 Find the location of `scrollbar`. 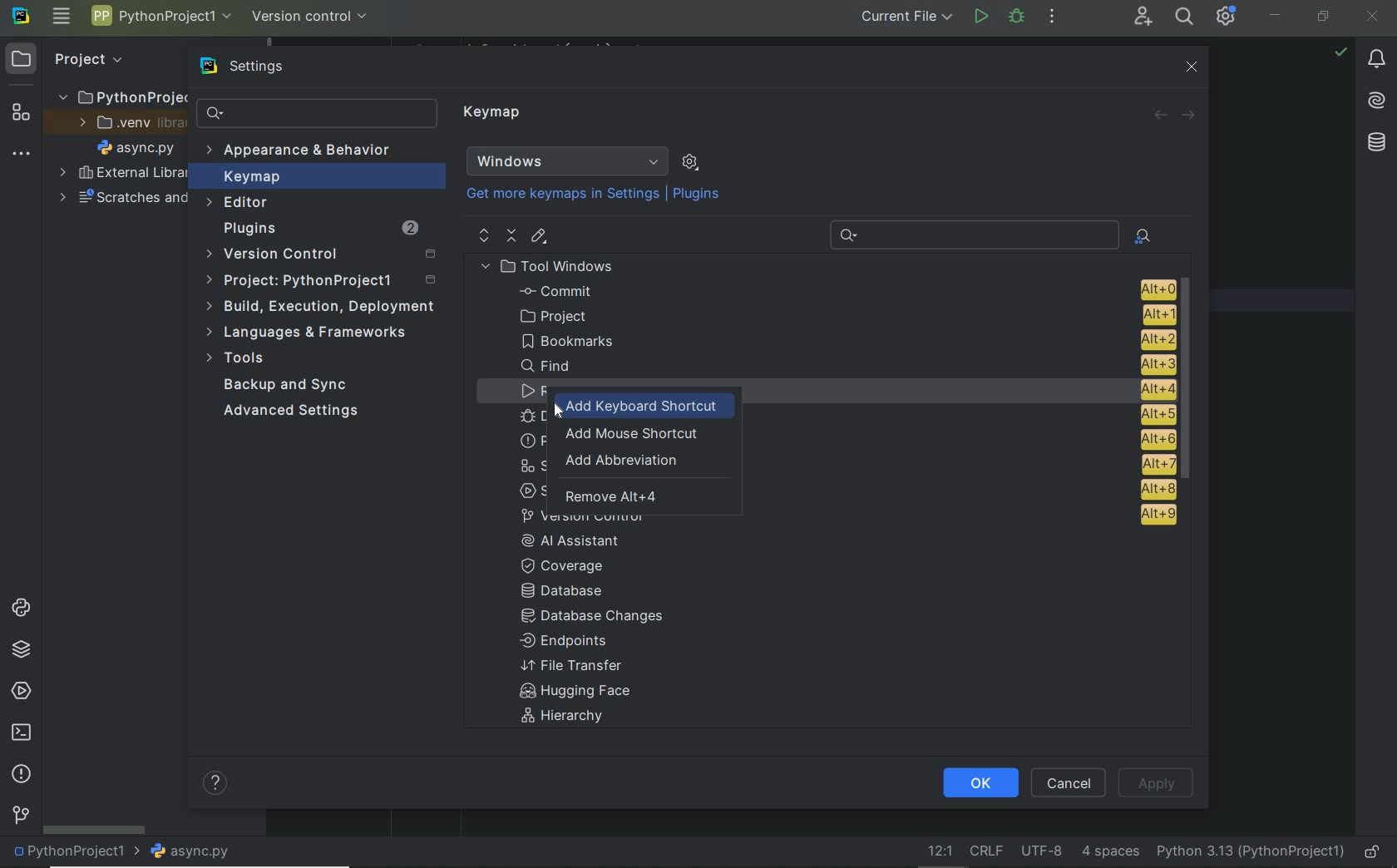

scrollbar is located at coordinates (92, 829).